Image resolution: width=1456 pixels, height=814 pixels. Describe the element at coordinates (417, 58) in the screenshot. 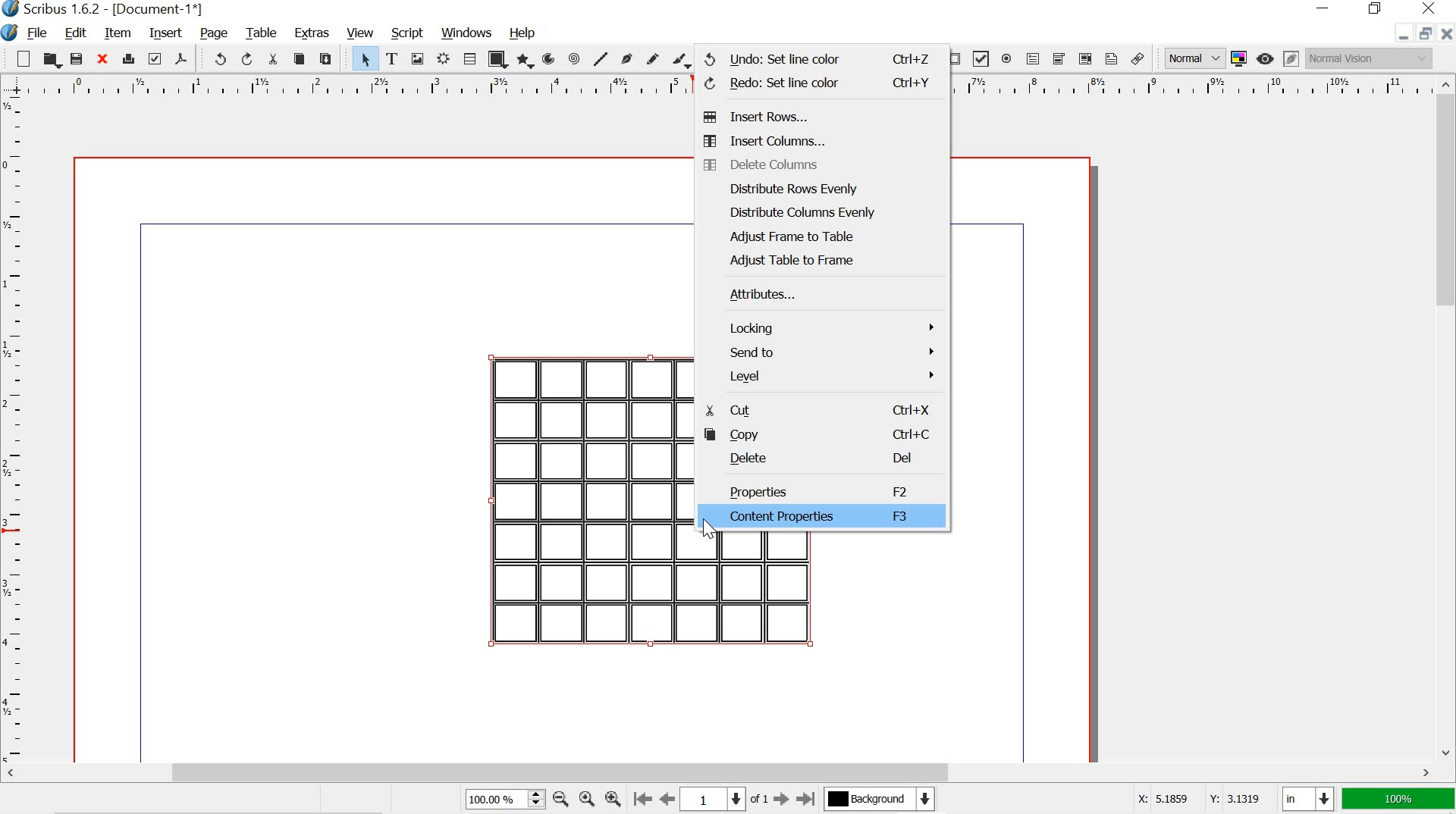

I see `image frame` at that location.